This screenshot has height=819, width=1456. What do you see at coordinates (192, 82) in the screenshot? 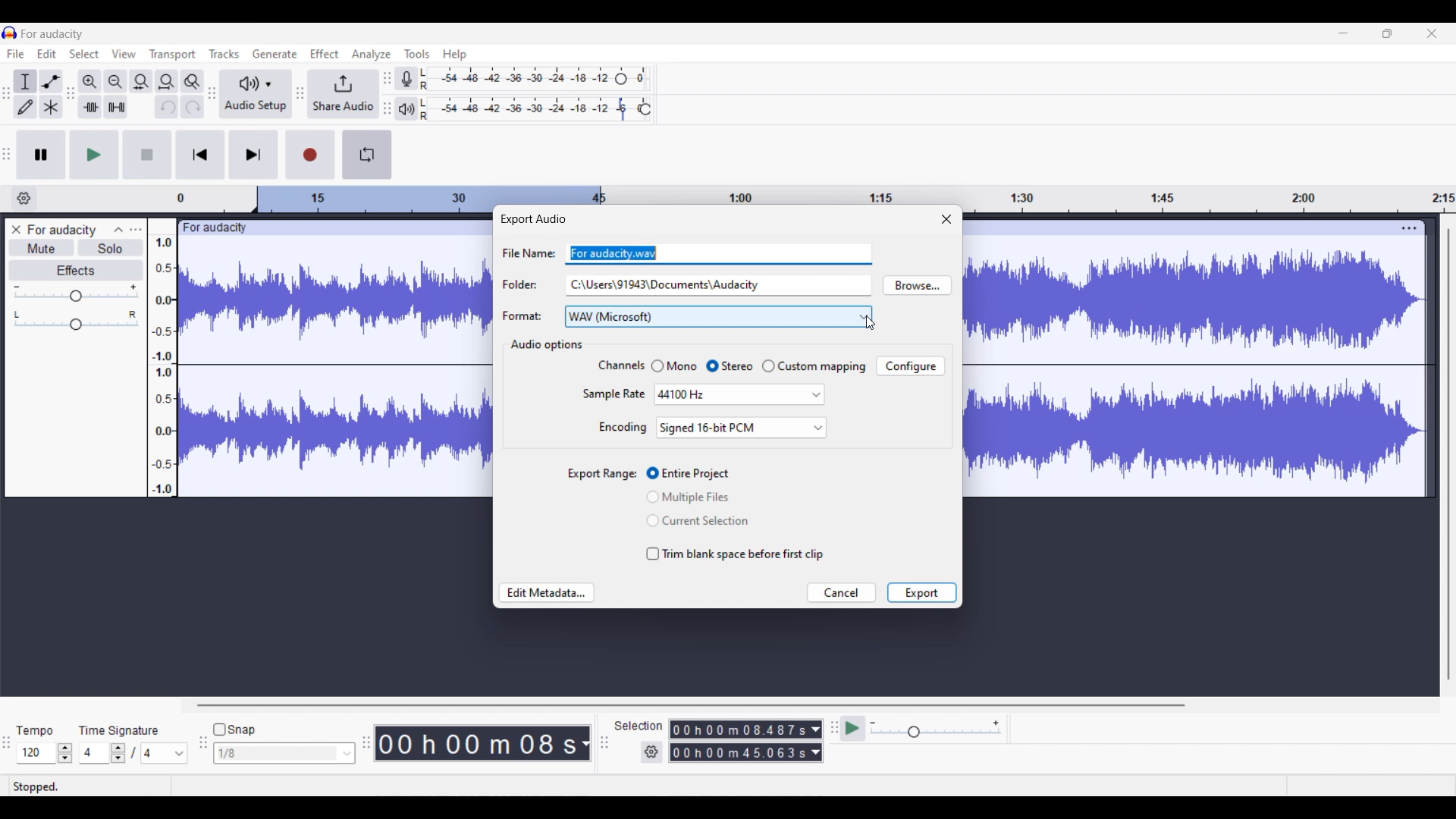
I see `Zoom toggle` at bounding box center [192, 82].